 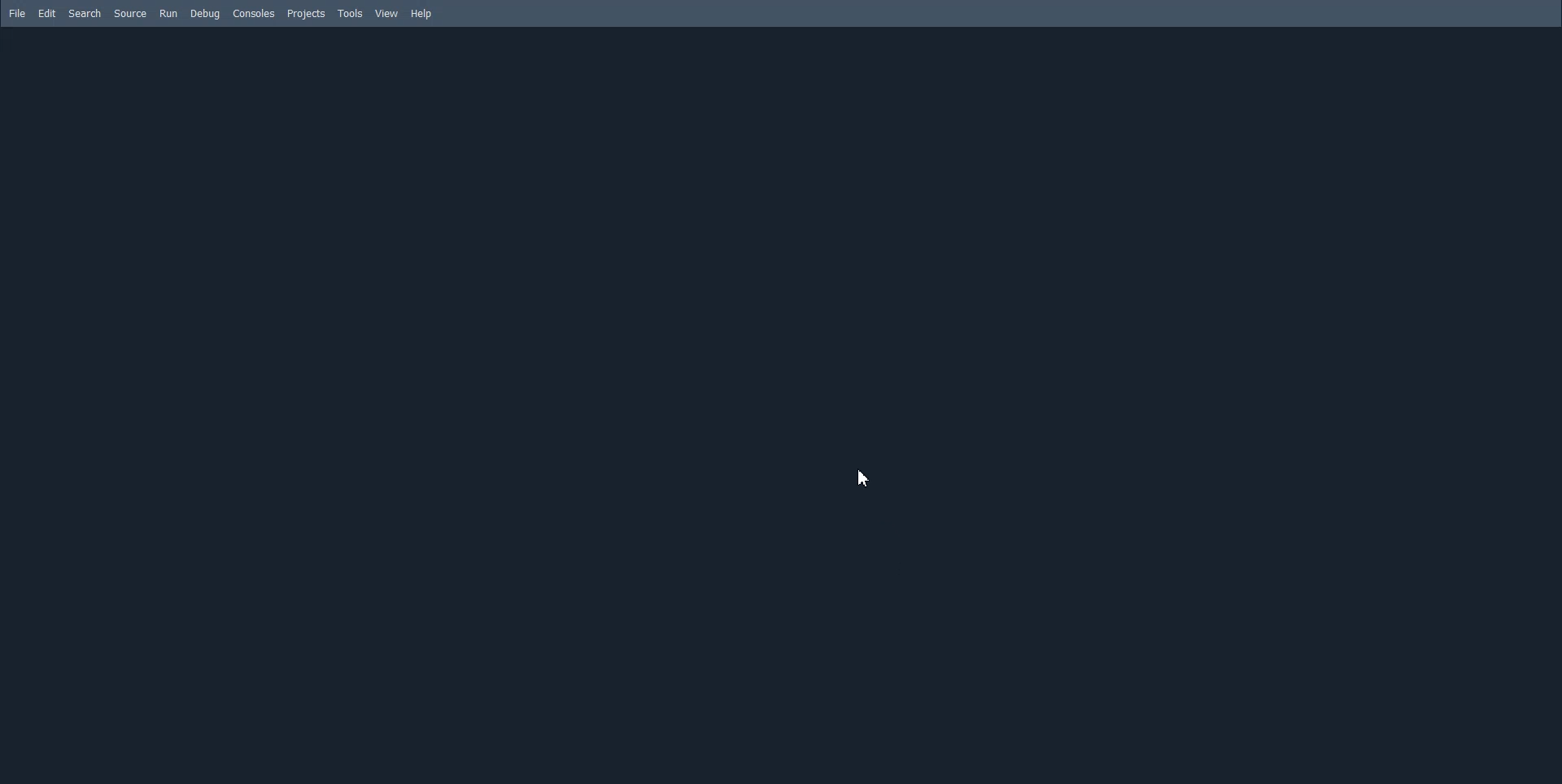 What do you see at coordinates (254, 14) in the screenshot?
I see `Consoles` at bounding box center [254, 14].